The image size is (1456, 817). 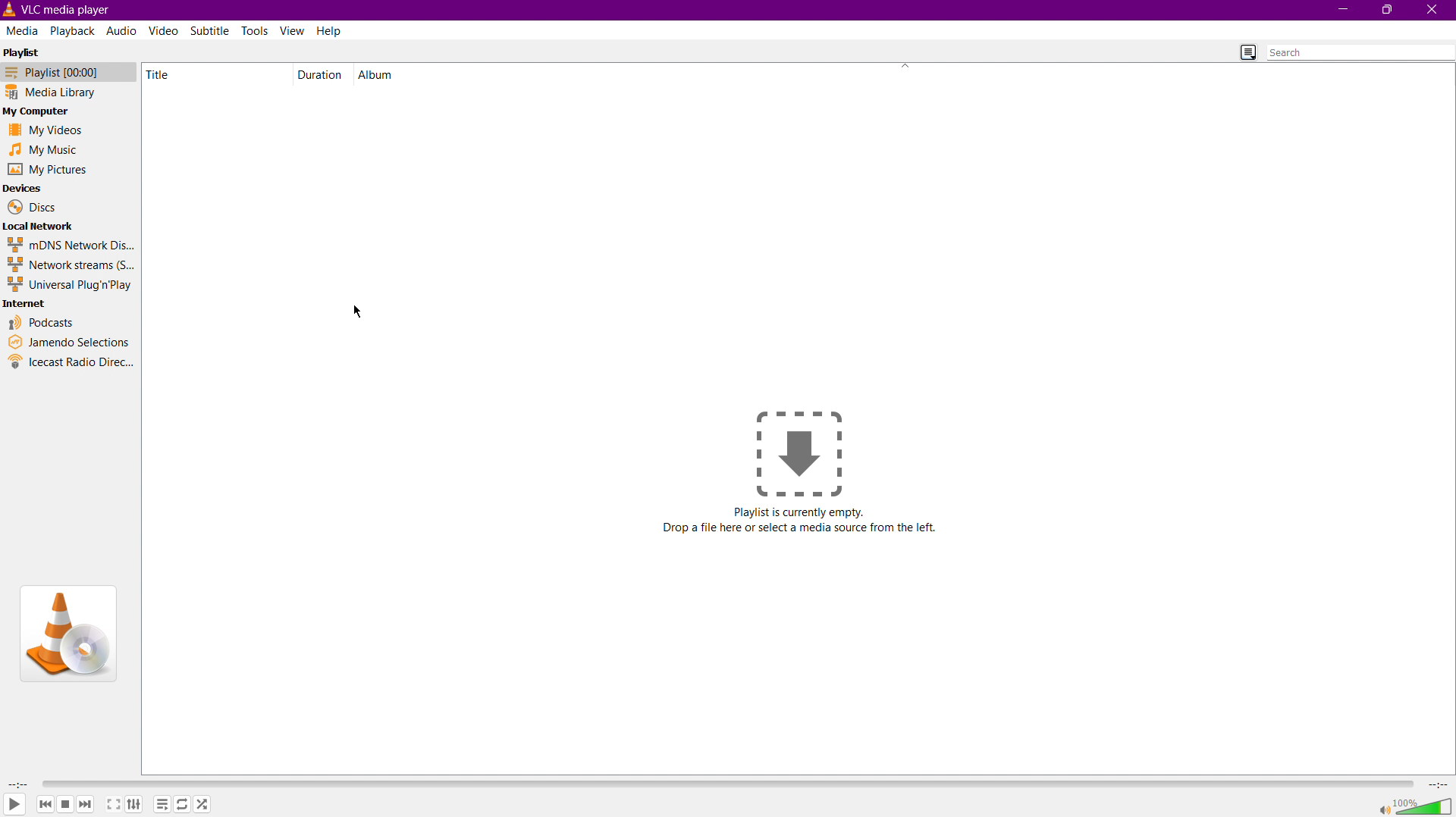 I want to click on Devices, so click(x=26, y=188).